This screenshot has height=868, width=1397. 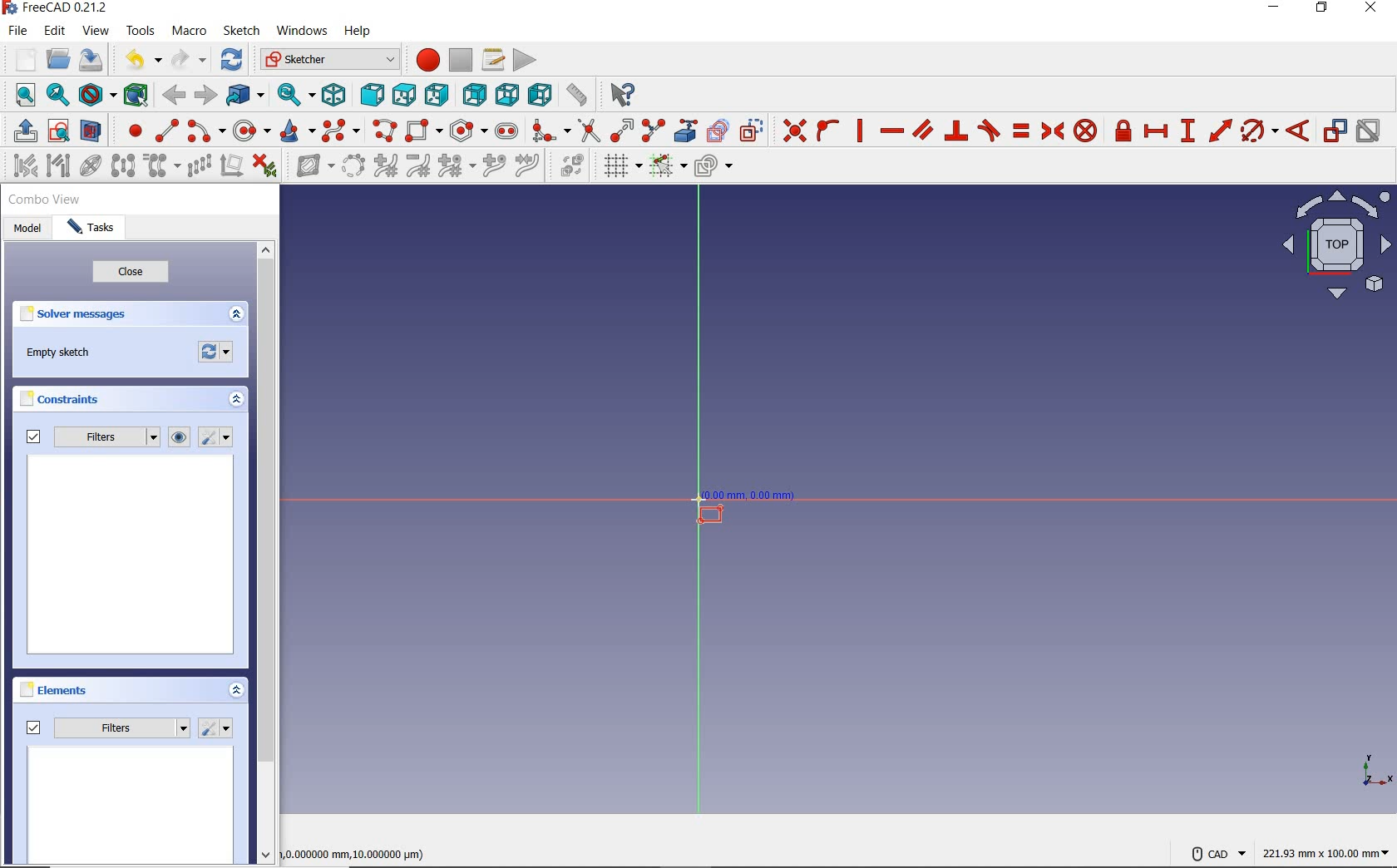 What do you see at coordinates (327, 60) in the screenshot?
I see `switch between workbenches` at bounding box center [327, 60].